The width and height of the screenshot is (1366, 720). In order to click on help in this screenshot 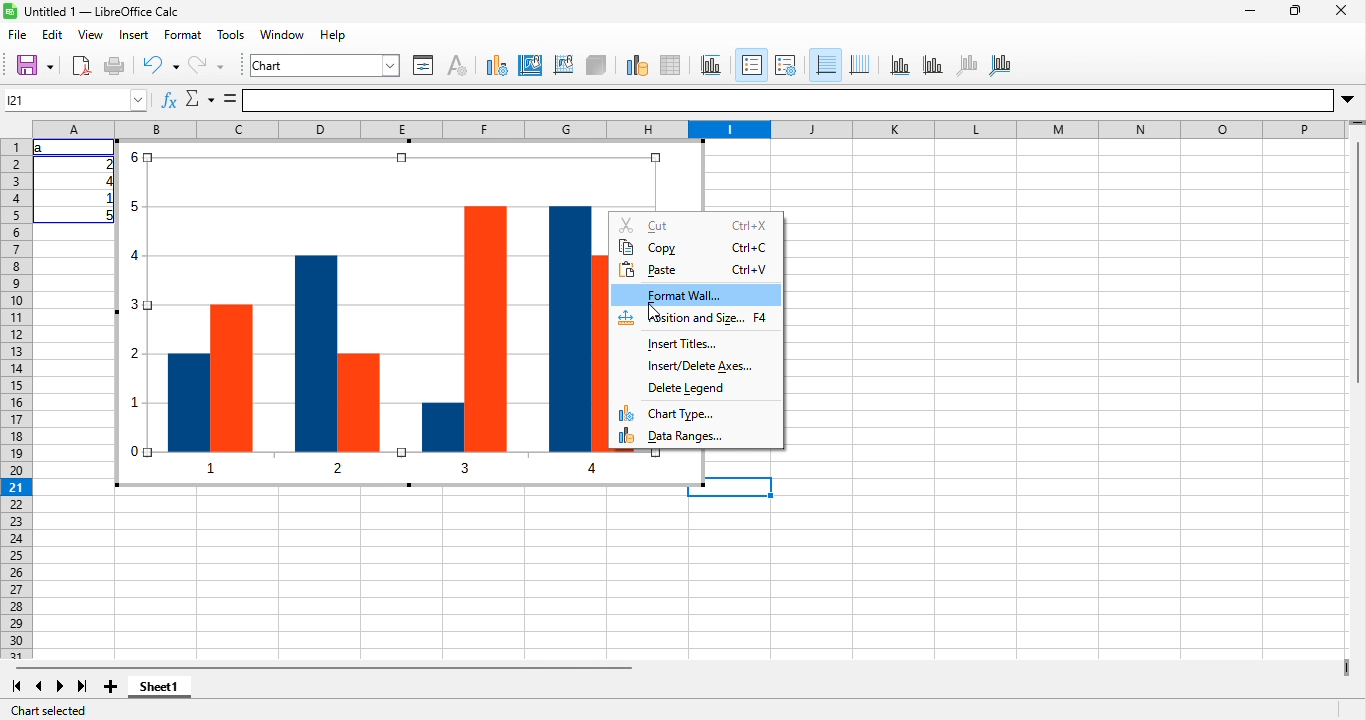, I will do `click(333, 34)`.